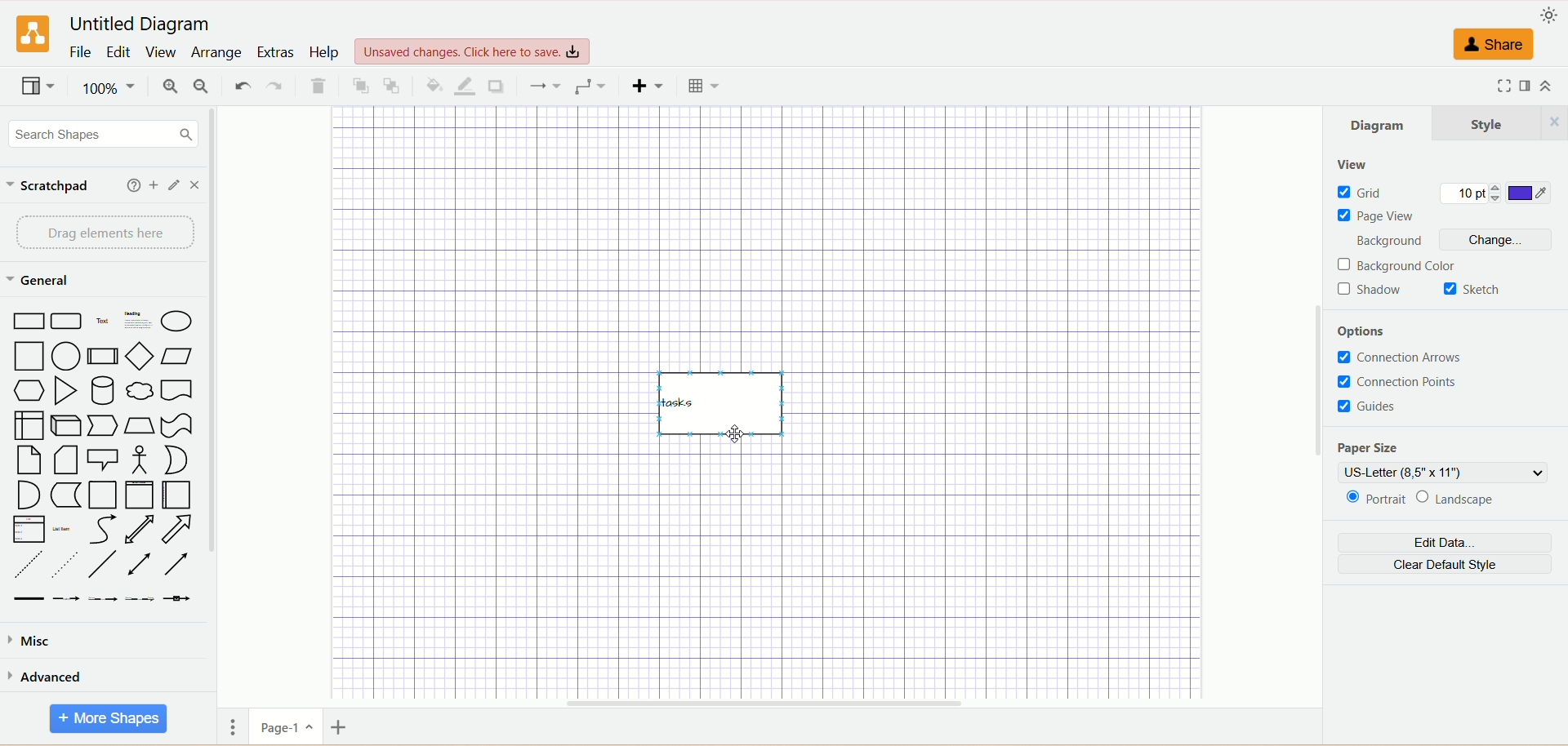 This screenshot has height=746, width=1568. What do you see at coordinates (344, 730) in the screenshot?
I see `insert page` at bounding box center [344, 730].